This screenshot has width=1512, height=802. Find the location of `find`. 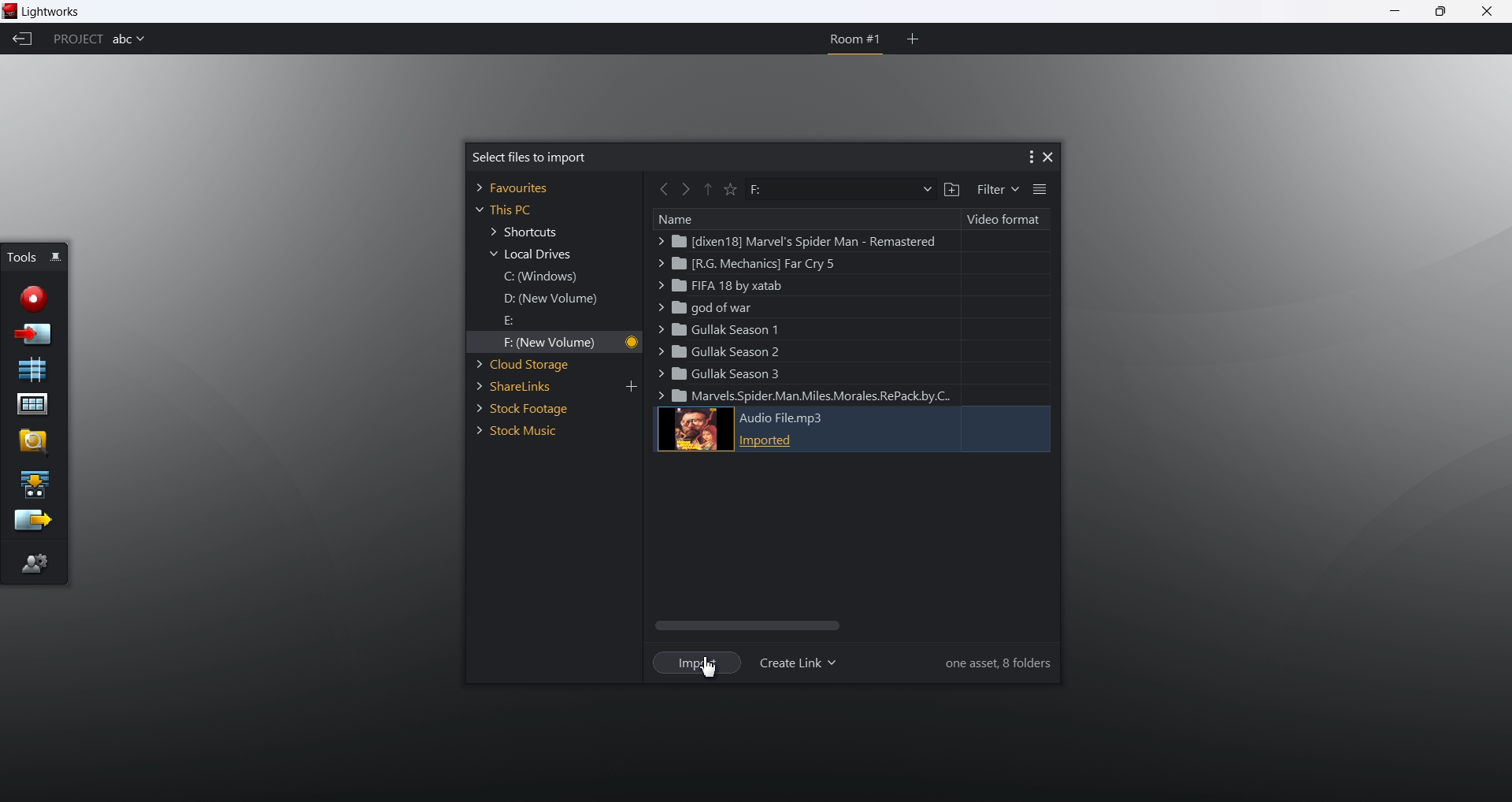

find is located at coordinates (32, 441).